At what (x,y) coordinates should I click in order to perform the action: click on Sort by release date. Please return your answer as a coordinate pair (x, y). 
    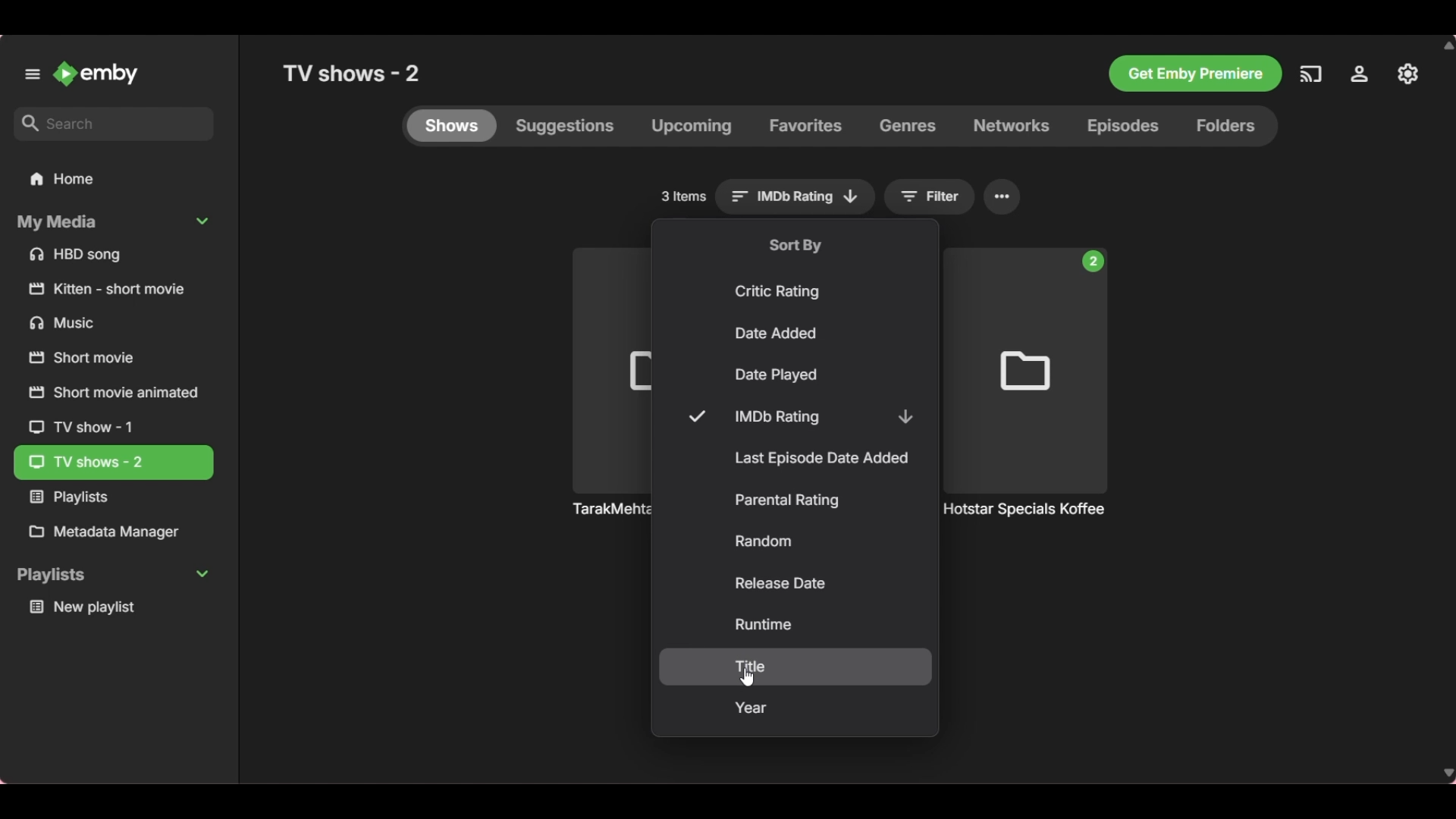
    Looking at the image, I should click on (795, 583).